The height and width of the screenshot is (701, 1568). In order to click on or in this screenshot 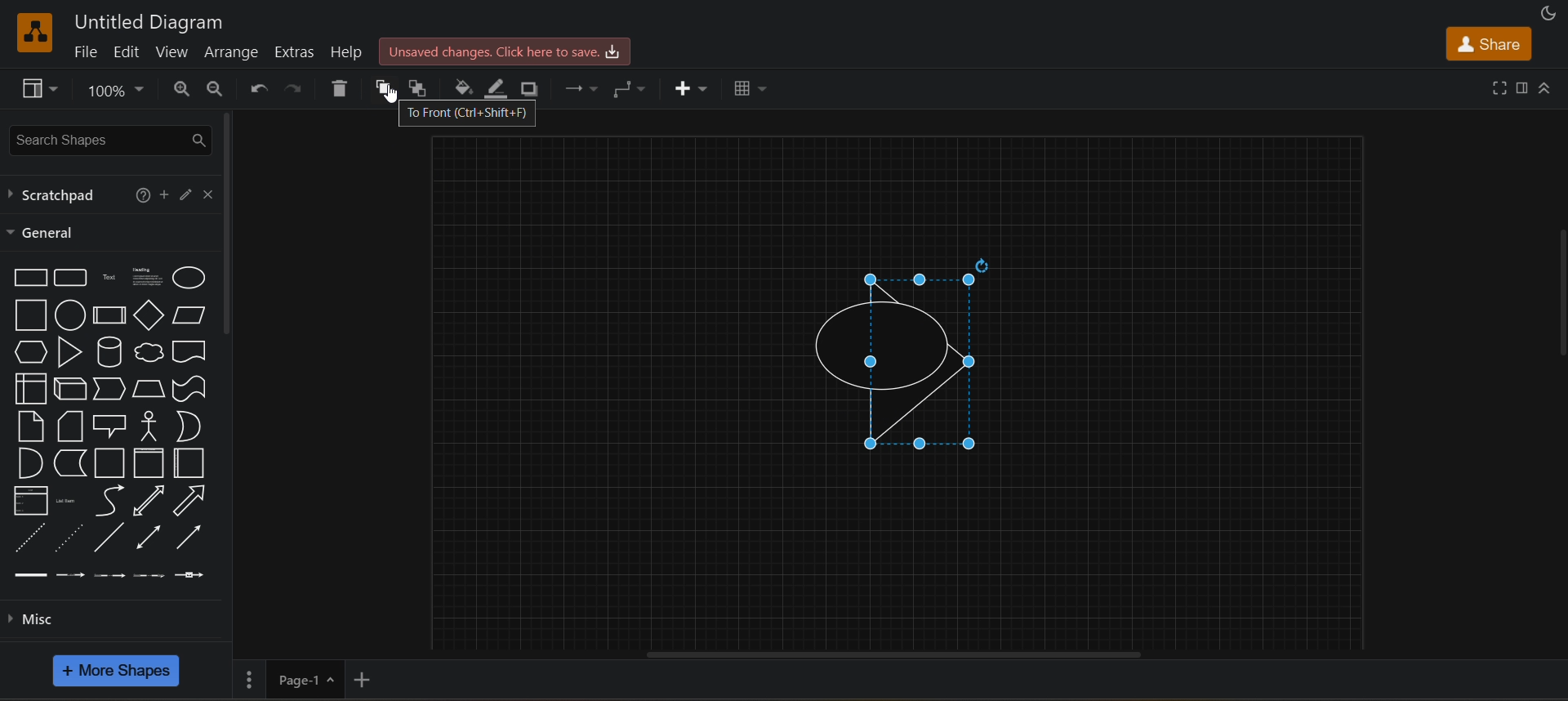, I will do `click(189, 426)`.